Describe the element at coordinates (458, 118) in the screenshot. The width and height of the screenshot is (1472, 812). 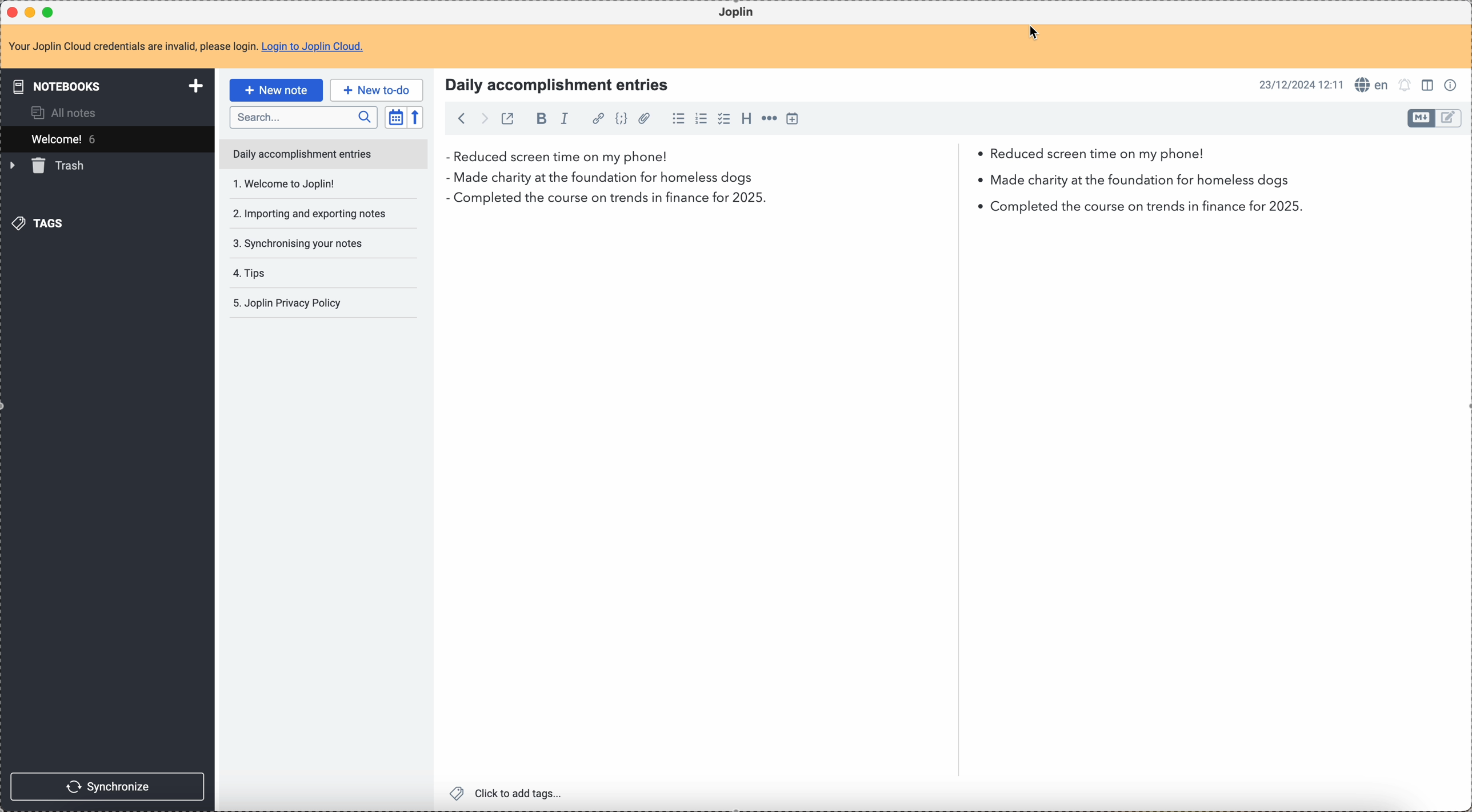
I see `back` at that location.